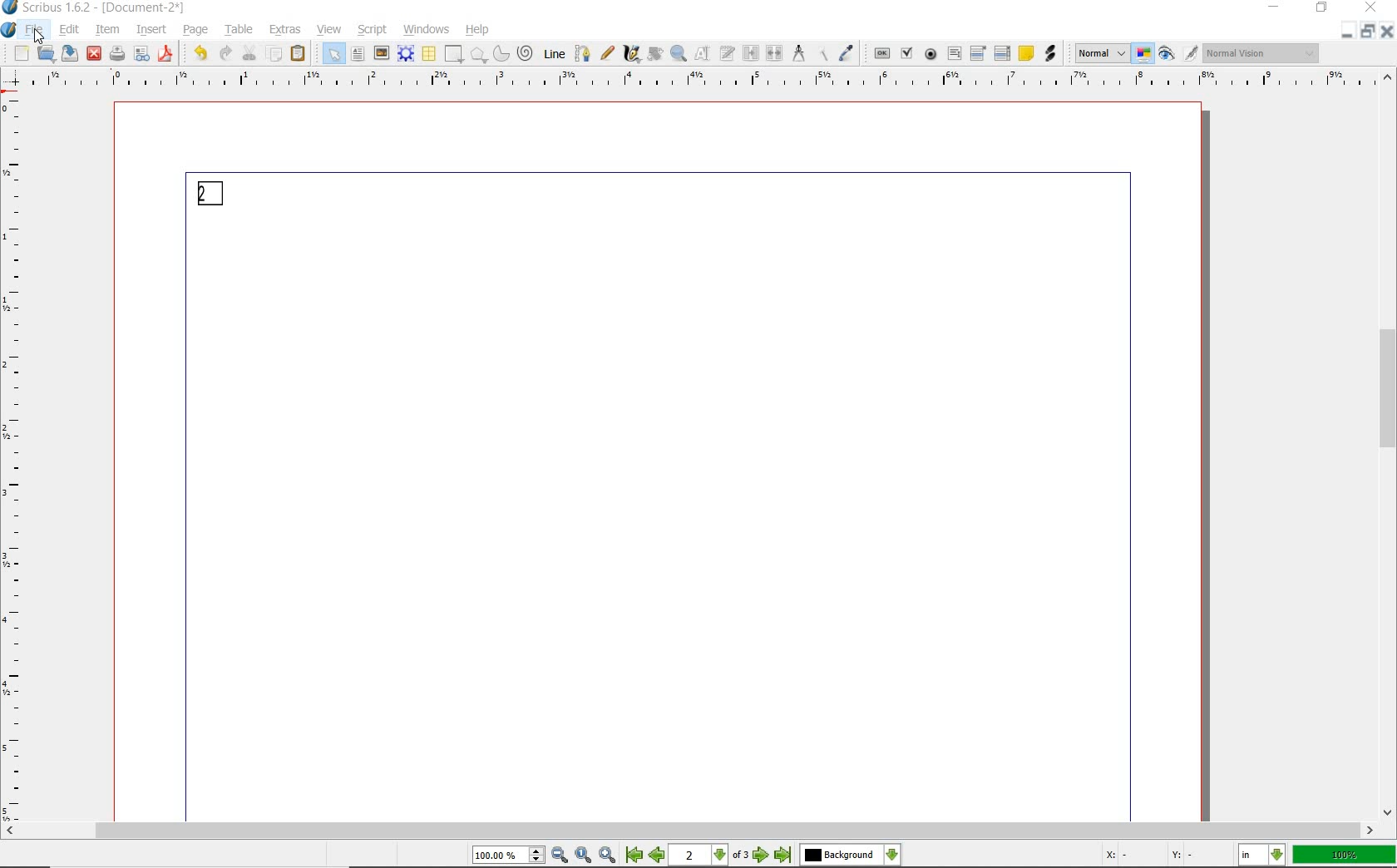  I want to click on pdf text field, so click(954, 53).